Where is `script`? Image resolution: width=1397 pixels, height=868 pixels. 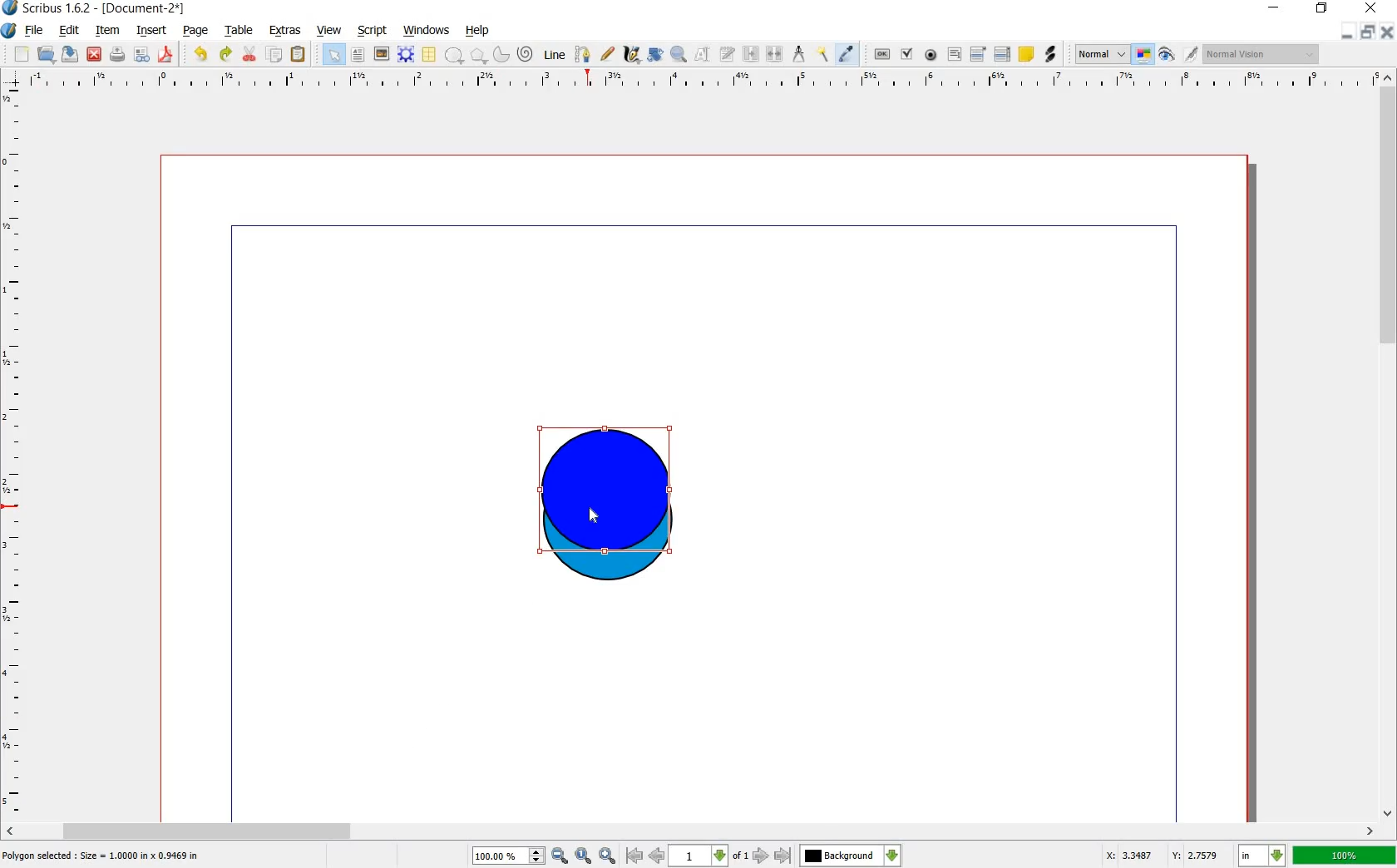
script is located at coordinates (373, 31).